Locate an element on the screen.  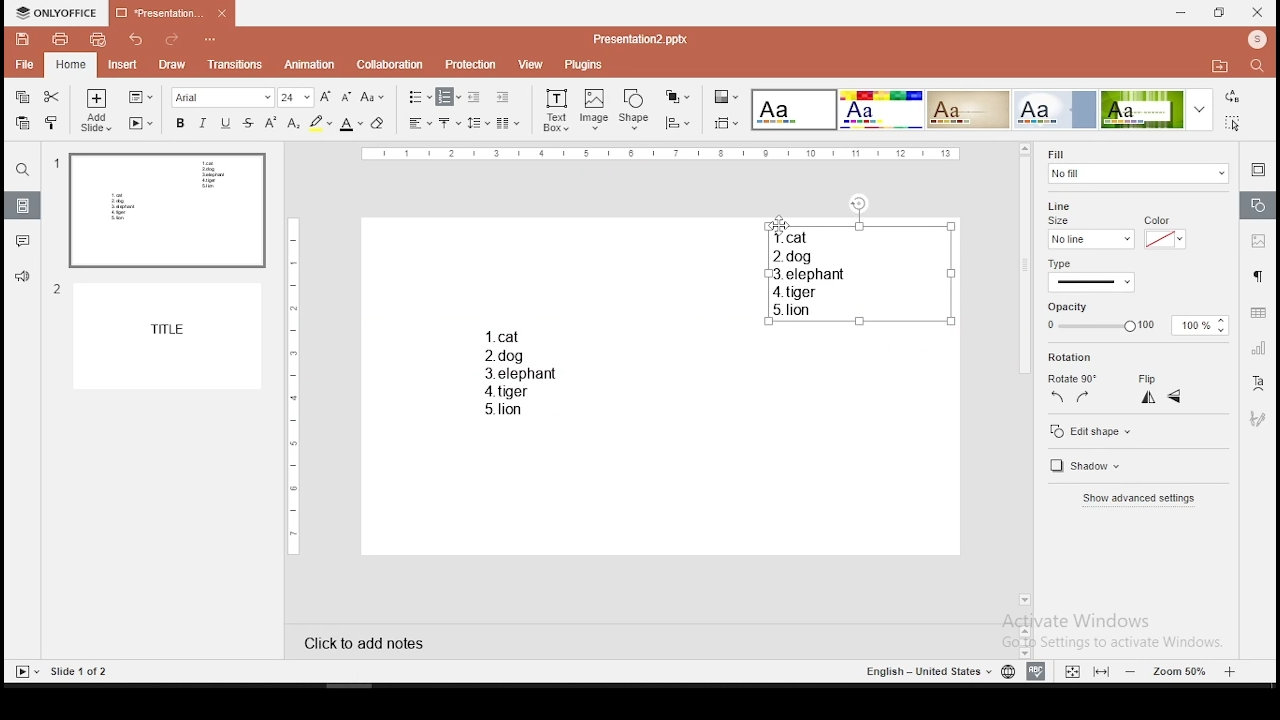
folder is located at coordinates (1220, 65).